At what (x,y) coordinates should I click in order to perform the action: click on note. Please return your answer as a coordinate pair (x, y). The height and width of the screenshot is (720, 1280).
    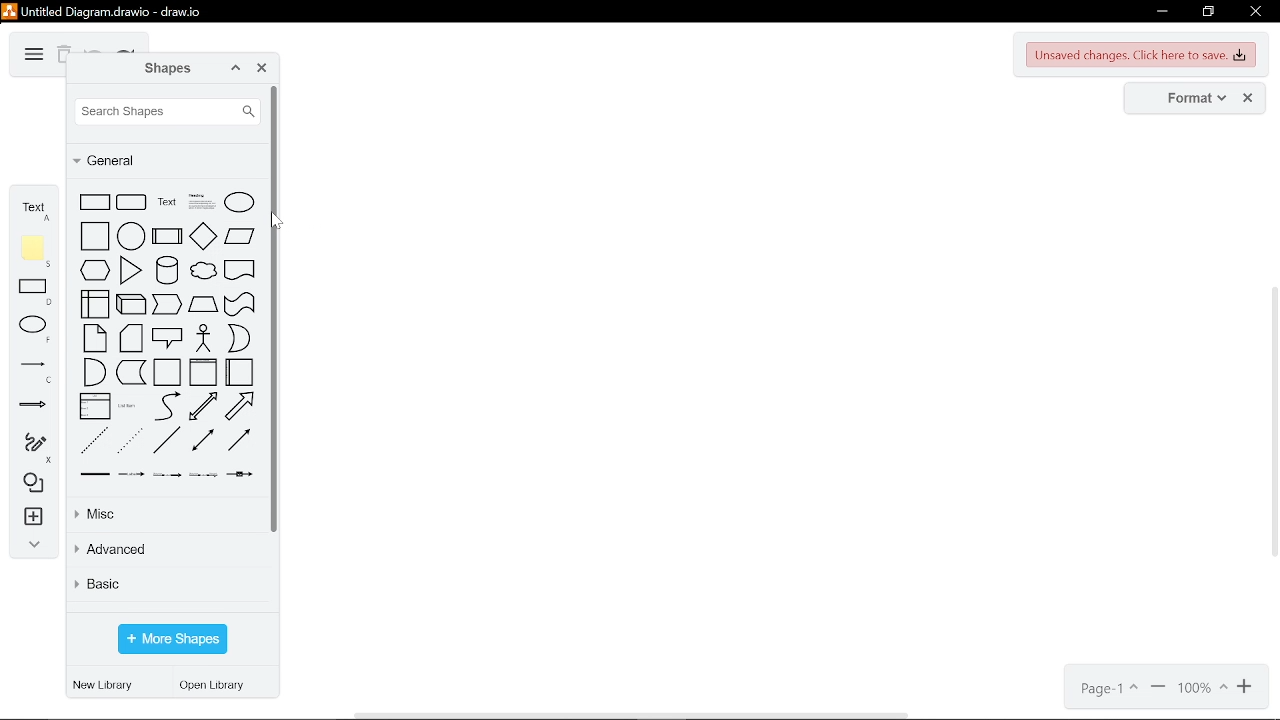
    Looking at the image, I should click on (36, 251).